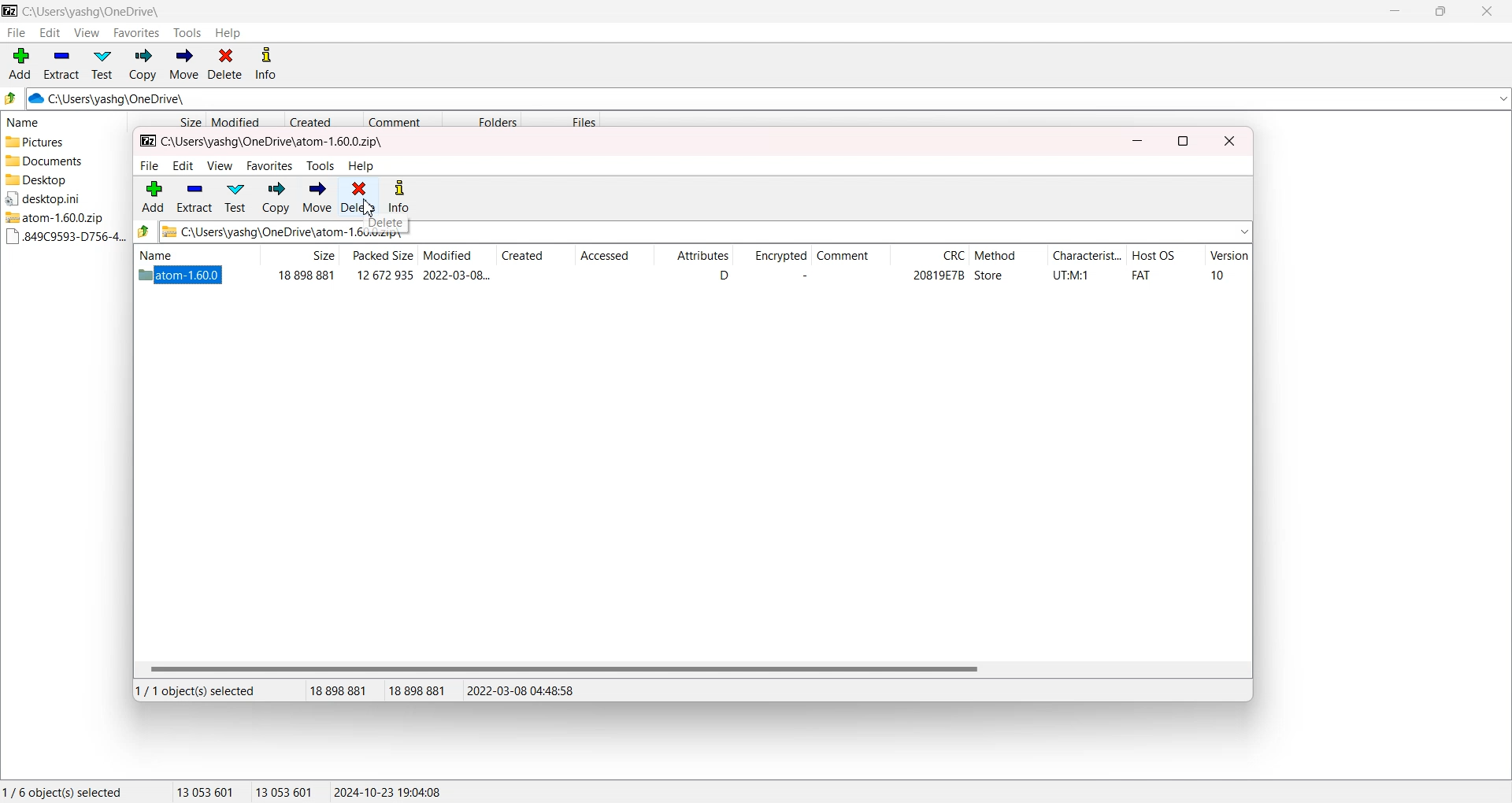 The width and height of the screenshot is (1512, 803). What do you see at coordinates (562, 120) in the screenshot?
I see `Files` at bounding box center [562, 120].